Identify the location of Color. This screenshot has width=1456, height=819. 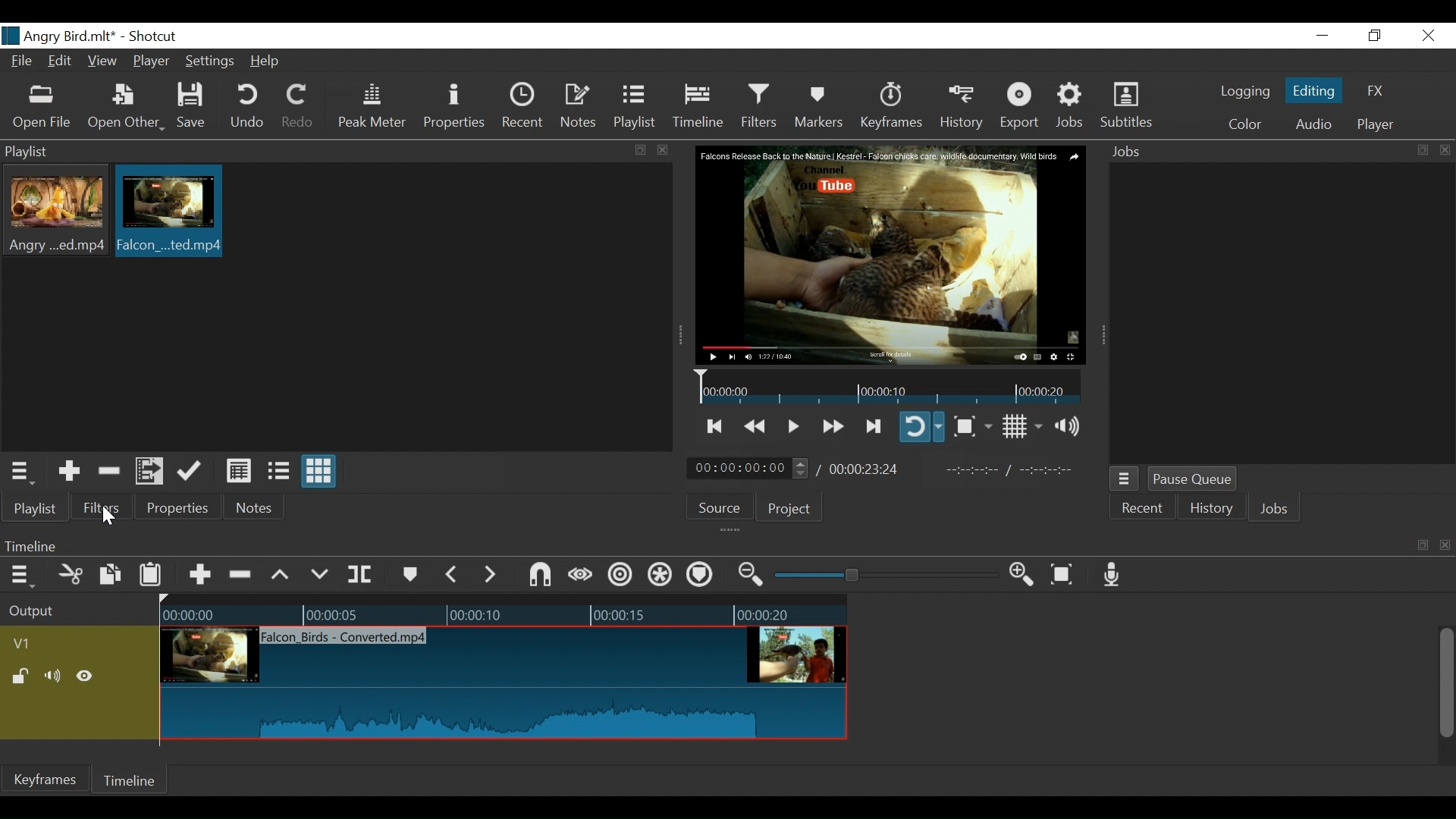
(1241, 124).